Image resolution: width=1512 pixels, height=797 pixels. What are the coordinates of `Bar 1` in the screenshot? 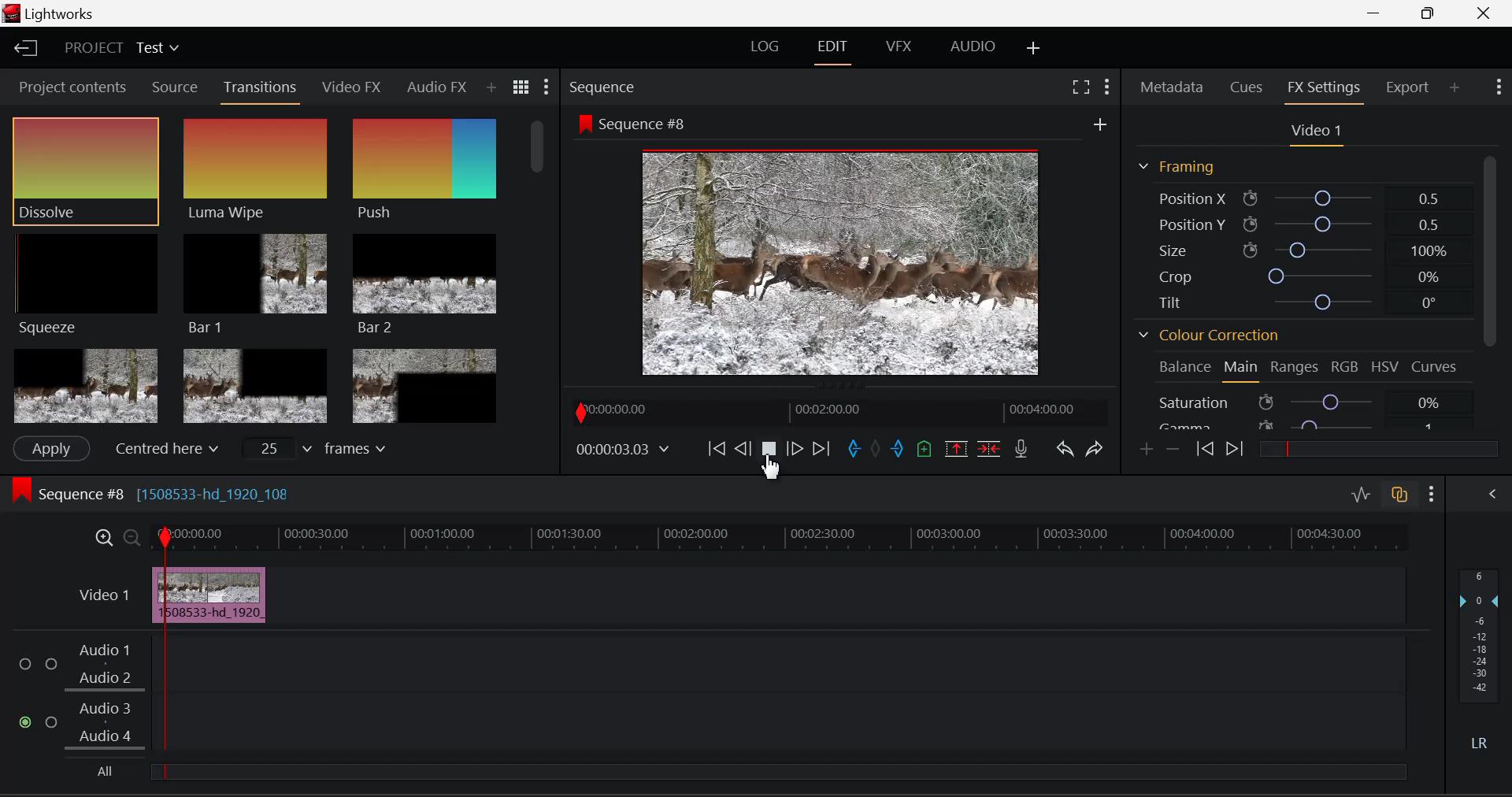 It's located at (256, 283).